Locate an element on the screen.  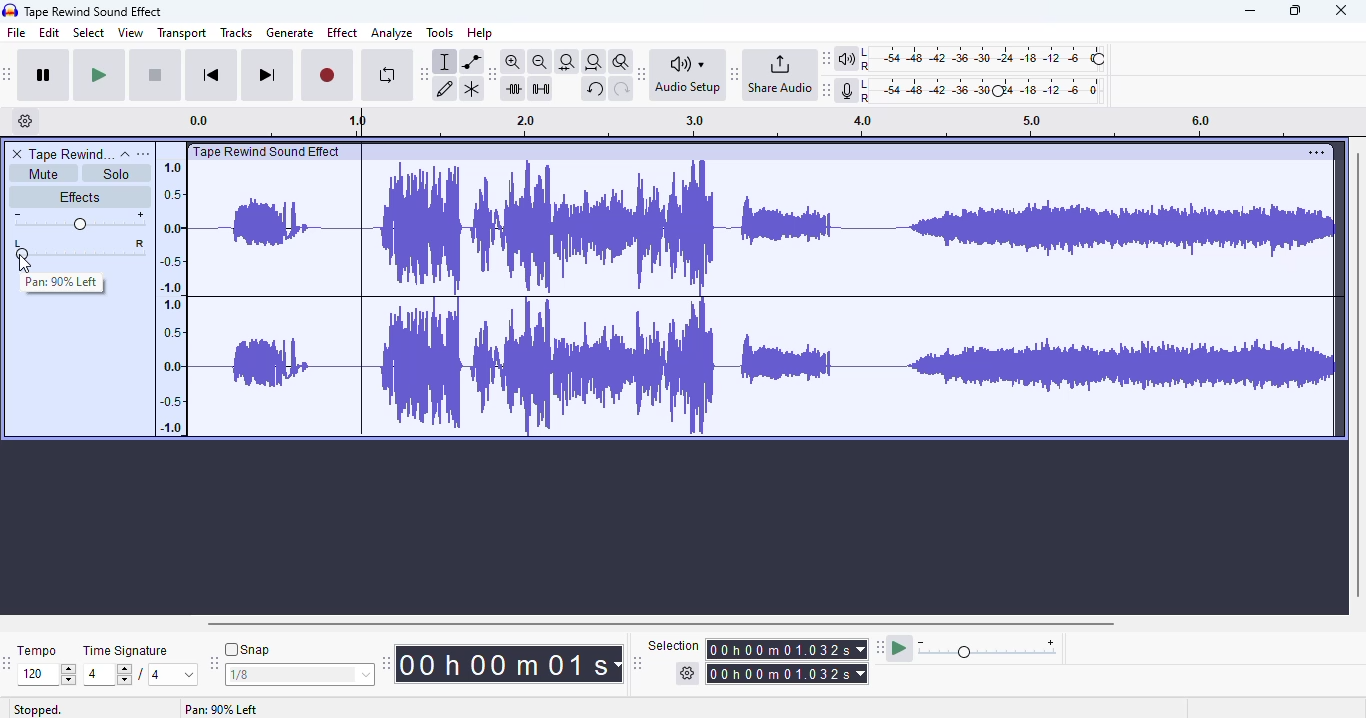
file is located at coordinates (17, 32).